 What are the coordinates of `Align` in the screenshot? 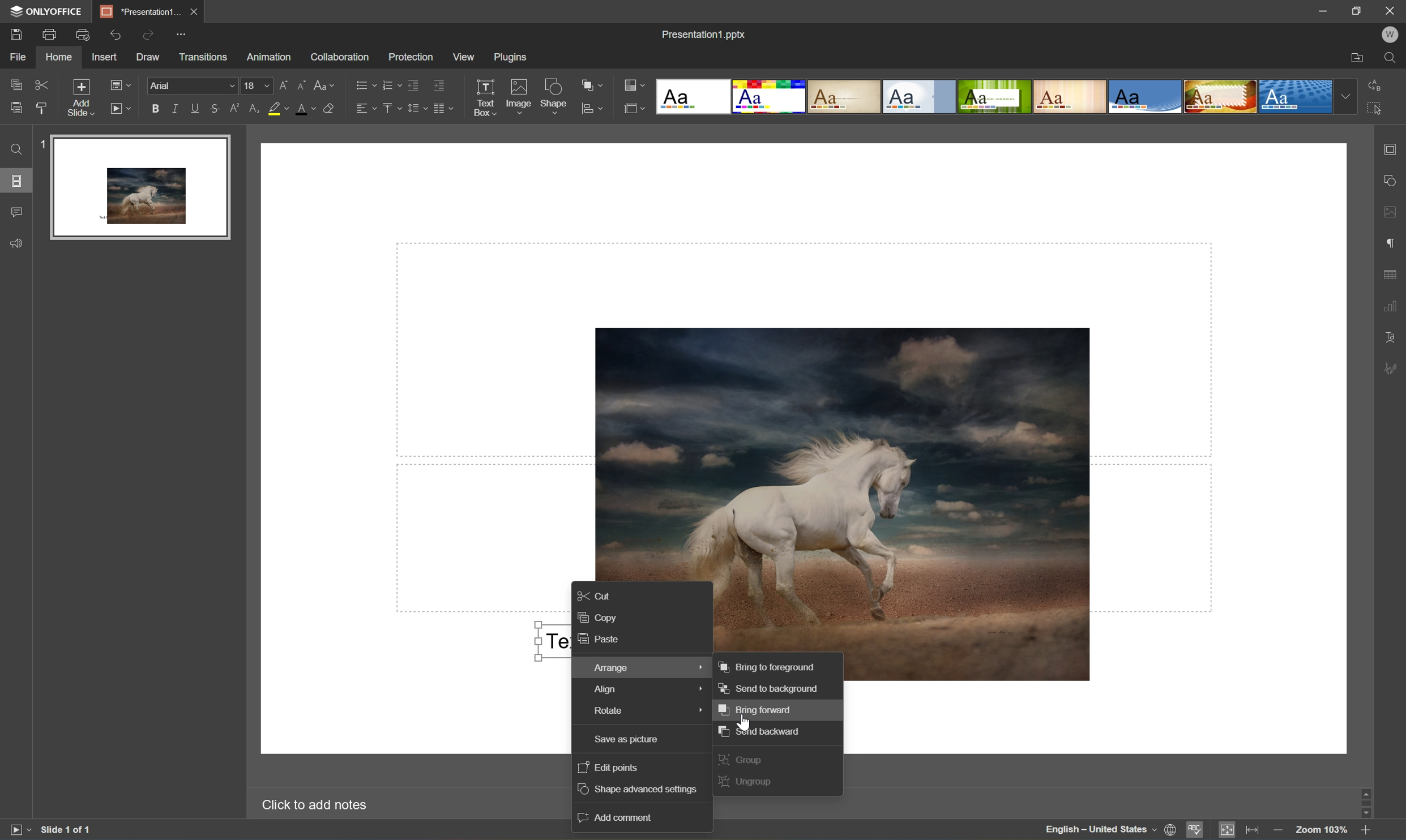 It's located at (638, 689).